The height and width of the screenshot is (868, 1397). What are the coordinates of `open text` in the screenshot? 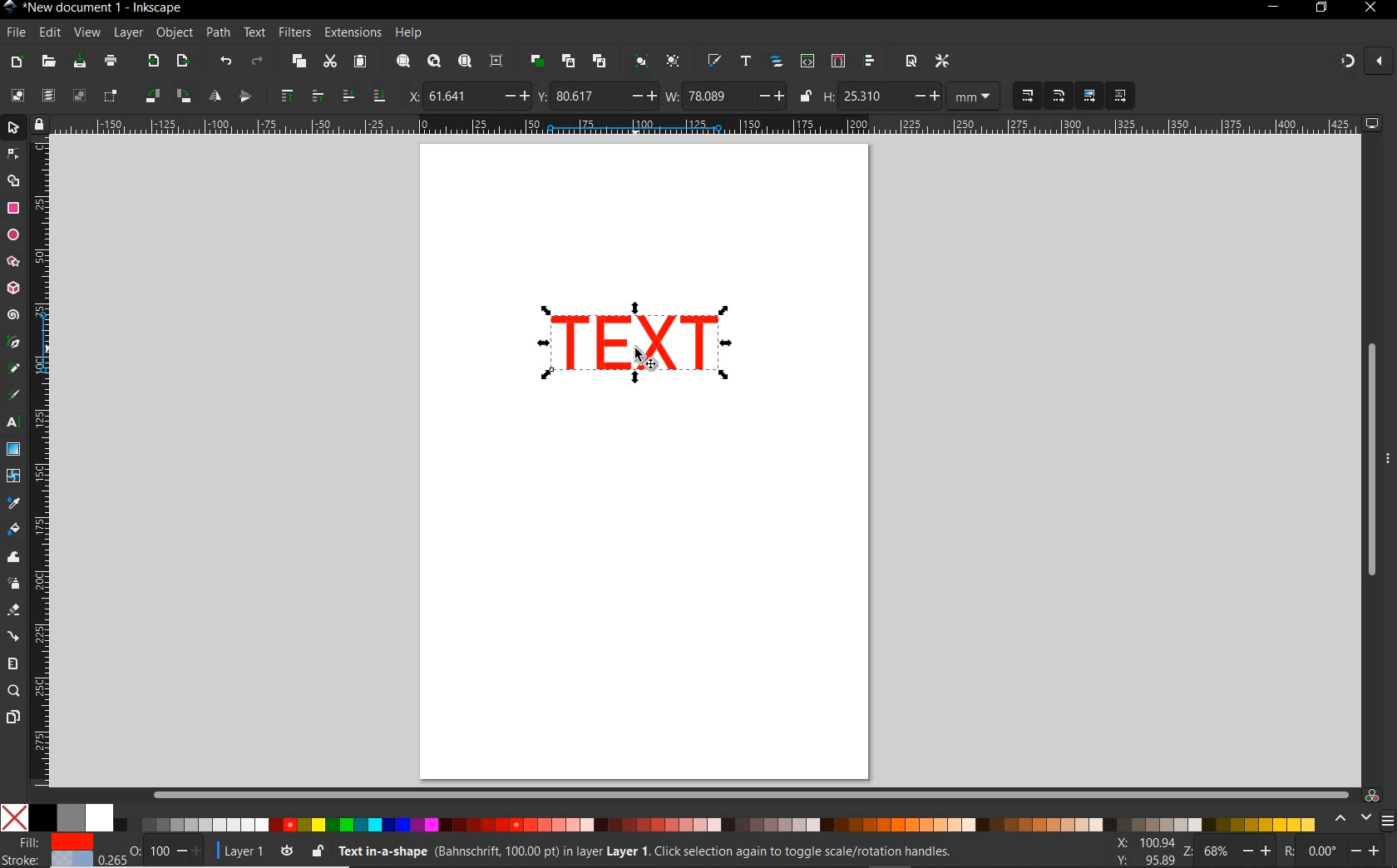 It's located at (746, 62).